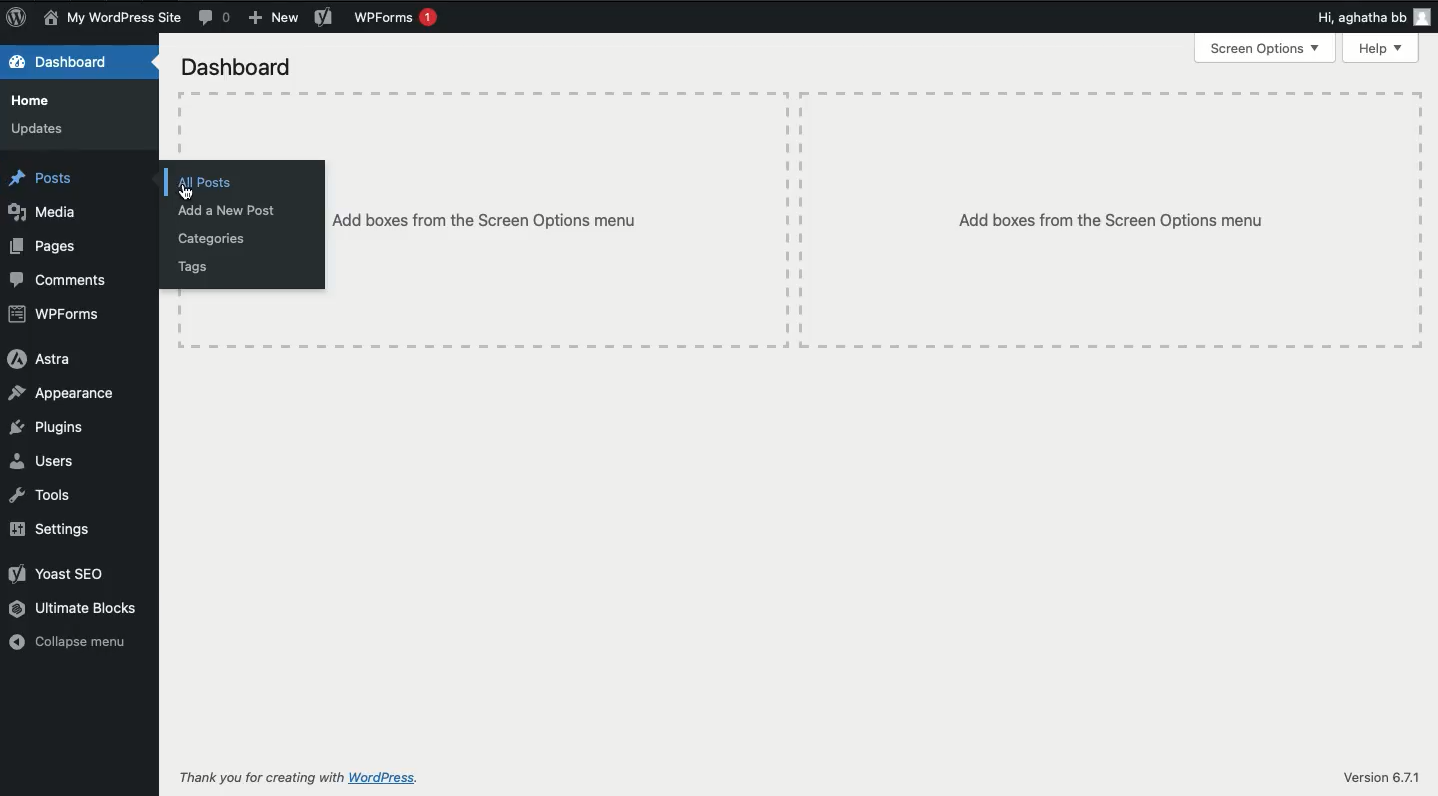  What do you see at coordinates (186, 191) in the screenshot?
I see `Click` at bounding box center [186, 191].